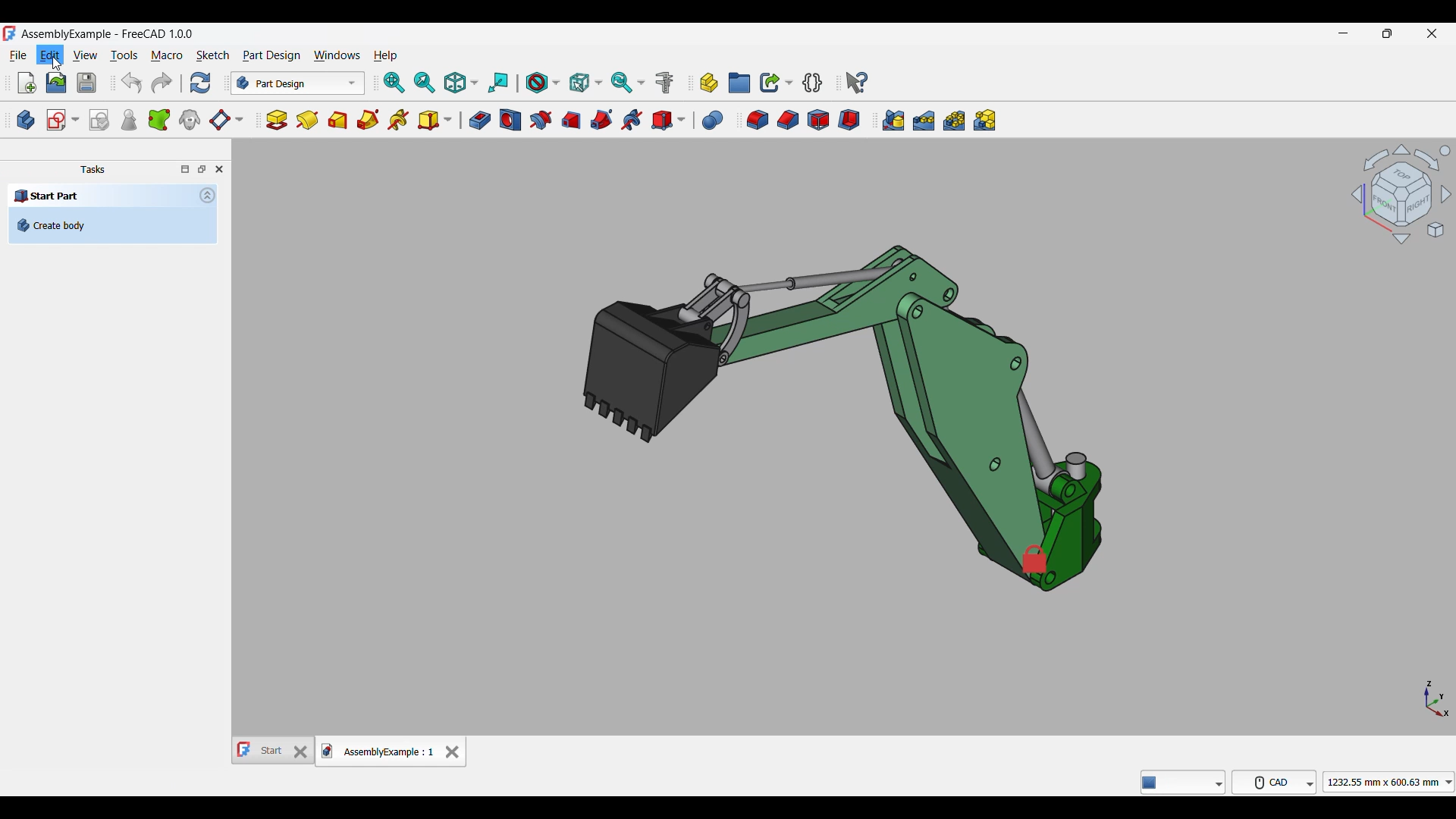 Image resolution: width=1456 pixels, height=819 pixels. I want to click on Canvas navigation, so click(1401, 193).